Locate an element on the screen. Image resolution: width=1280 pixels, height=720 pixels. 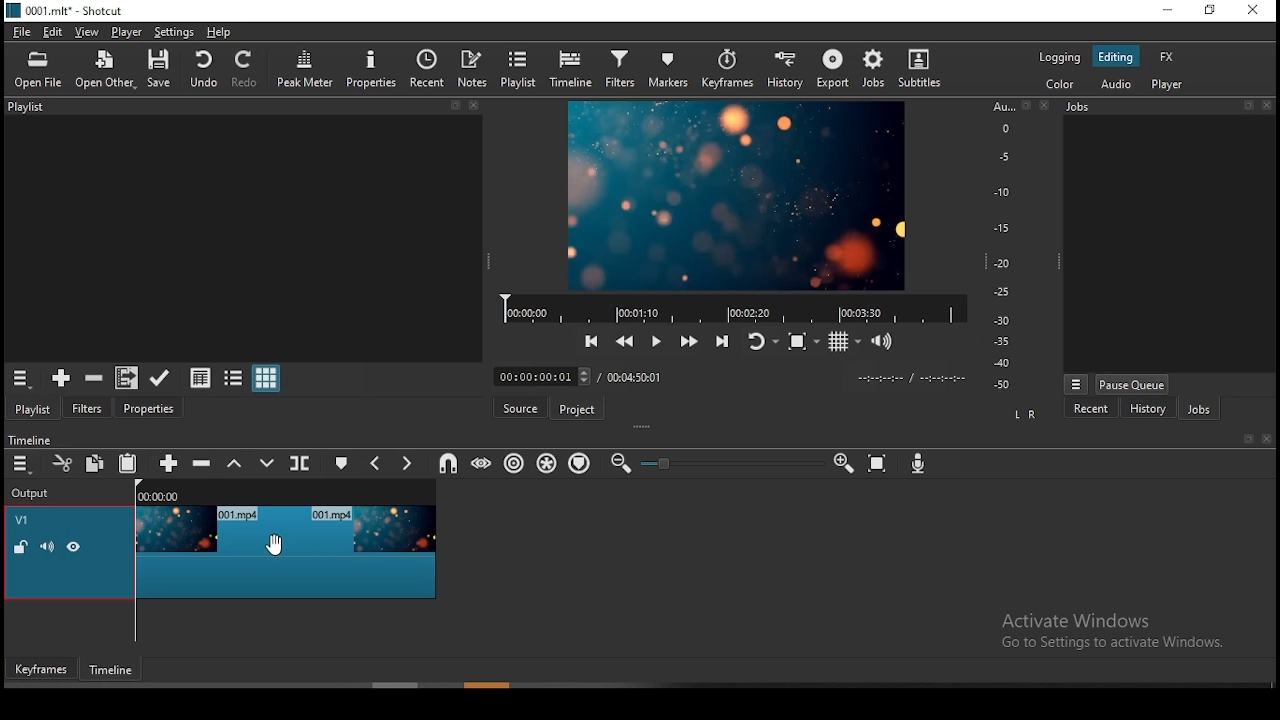
Jobs is located at coordinates (1170, 108).